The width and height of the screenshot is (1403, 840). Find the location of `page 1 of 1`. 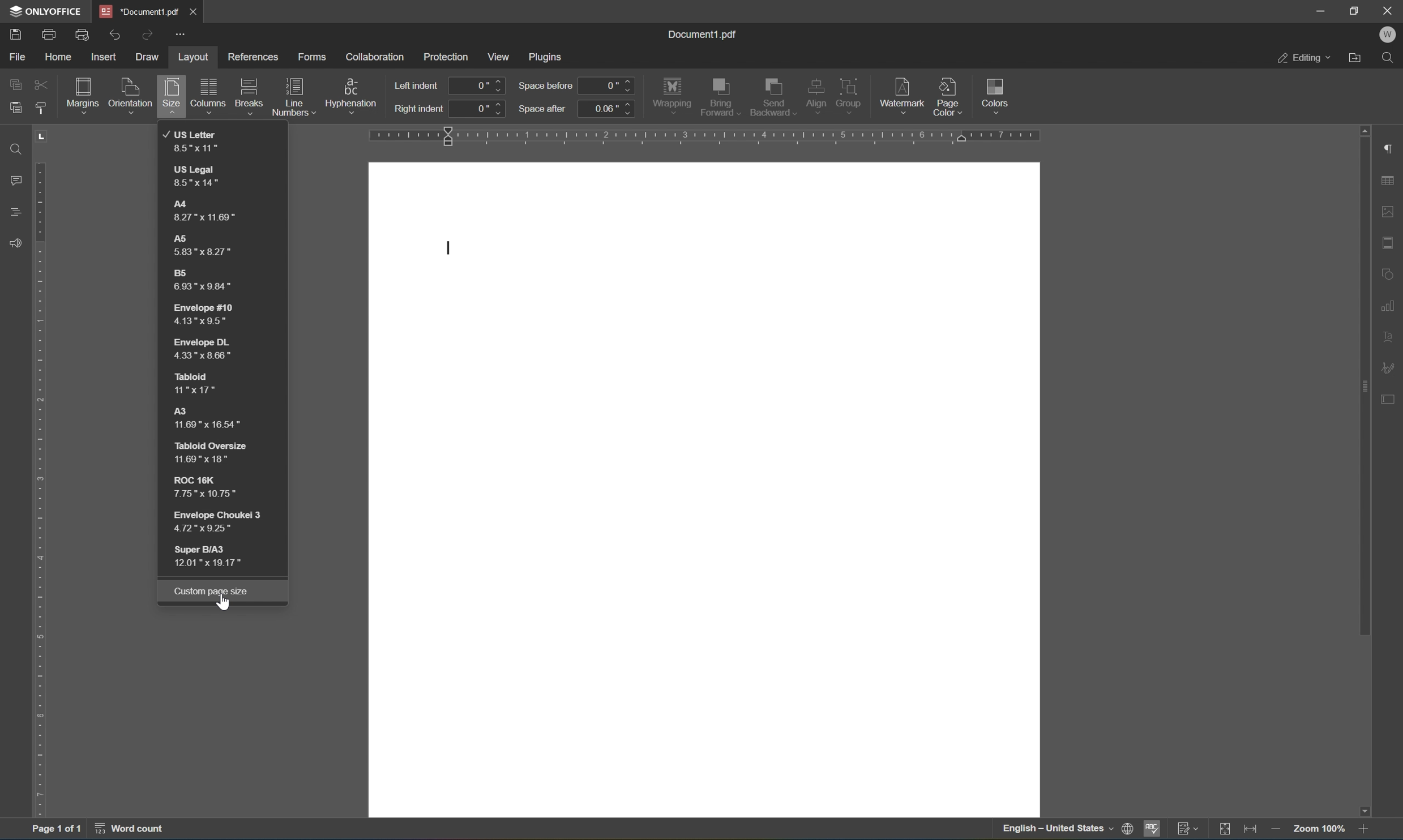

page 1 of 1 is located at coordinates (58, 831).